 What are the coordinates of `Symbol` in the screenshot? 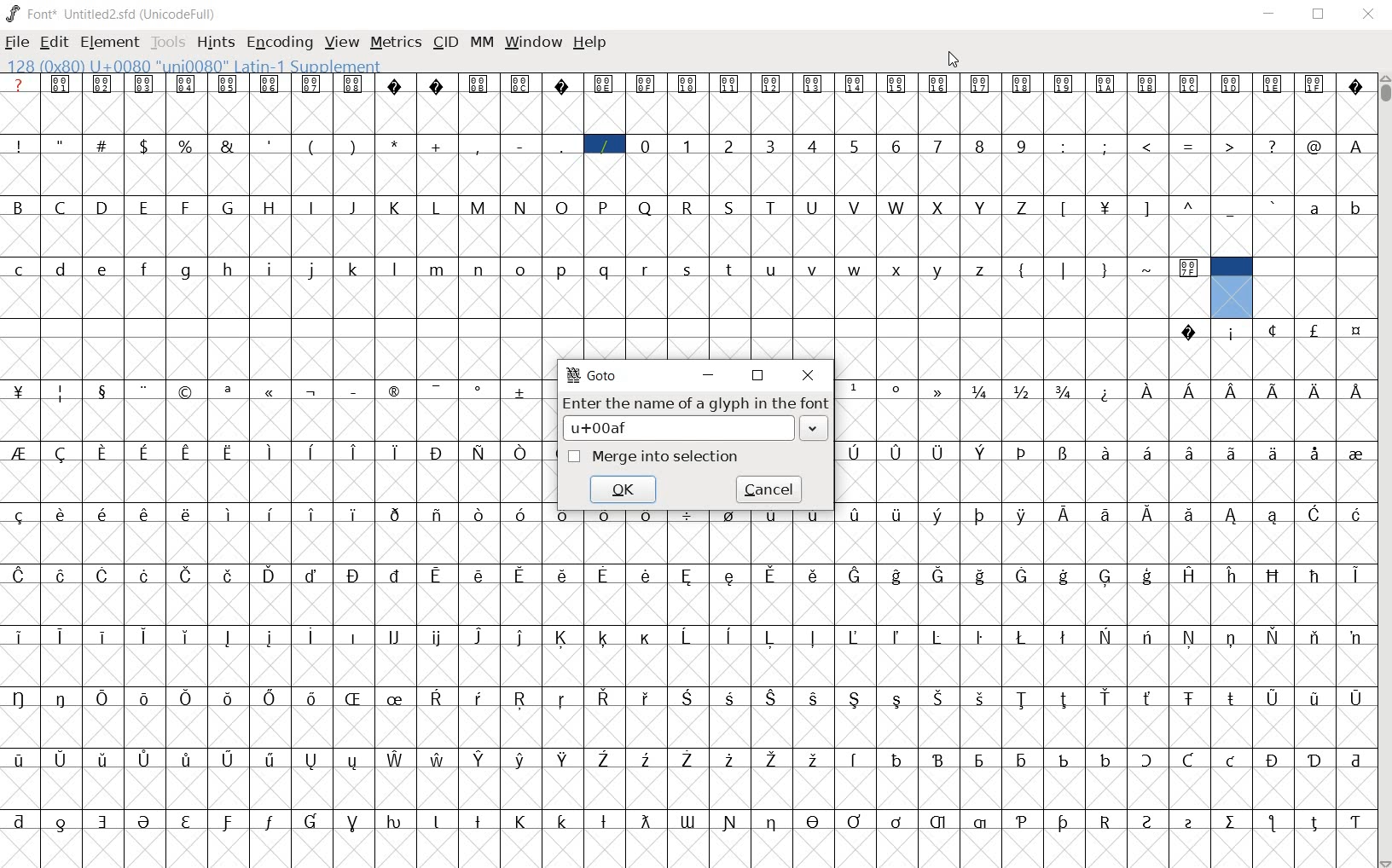 It's located at (981, 574).